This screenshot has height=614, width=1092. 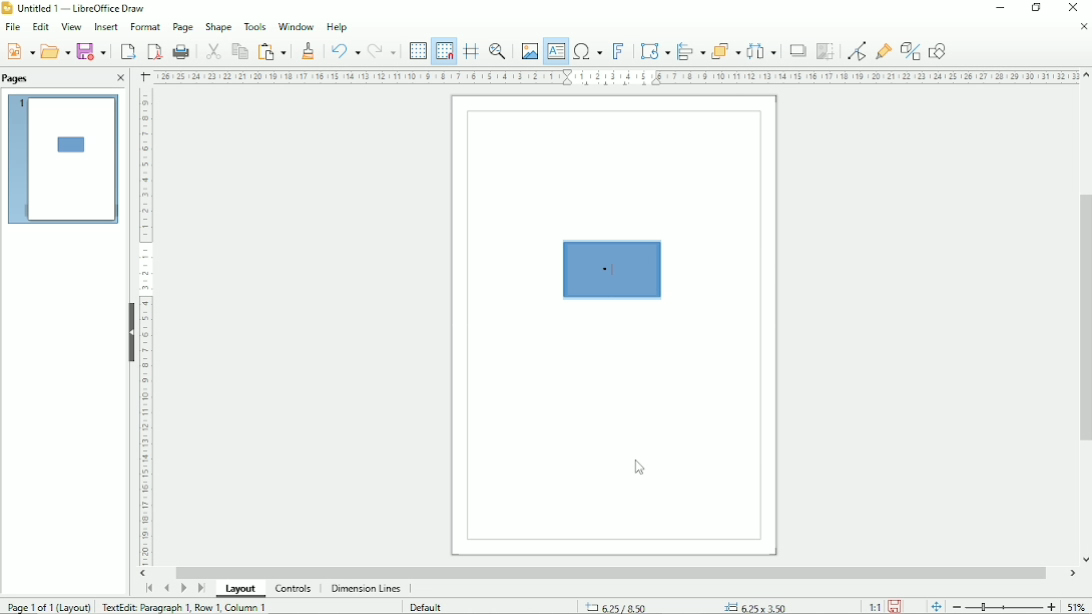 What do you see at coordinates (1083, 317) in the screenshot?
I see `Vertical scrollbar` at bounding box center [1083, 317].